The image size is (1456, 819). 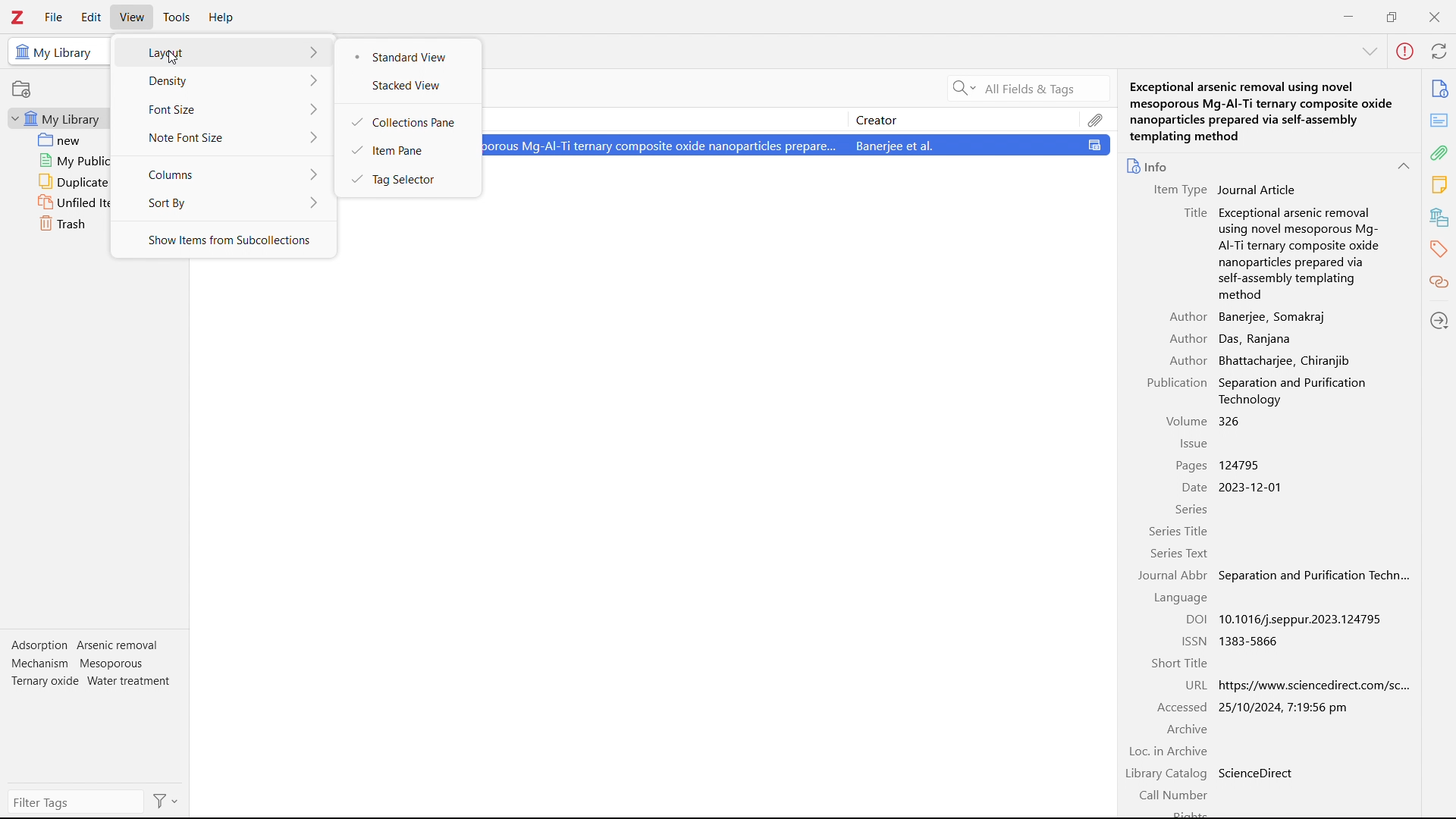 I want to click on Exceptional arsenic removal
using novel mesoporous Mg-
AI-Ti ternary composite oxide
nanoparticles prepared via
self-assembly templating
method, so click(x=1298, y=253).